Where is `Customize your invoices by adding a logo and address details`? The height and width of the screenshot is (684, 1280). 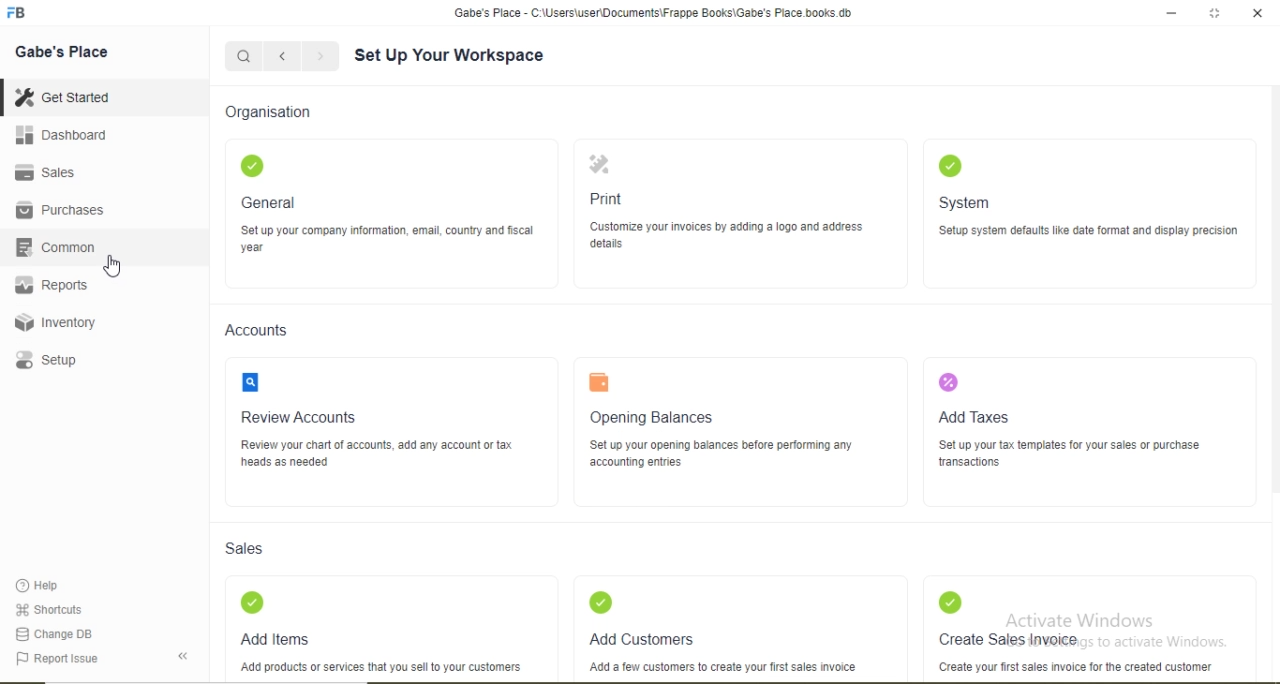
Customize your invoices by adding a logo and address details is located at coordinates (729, 236).